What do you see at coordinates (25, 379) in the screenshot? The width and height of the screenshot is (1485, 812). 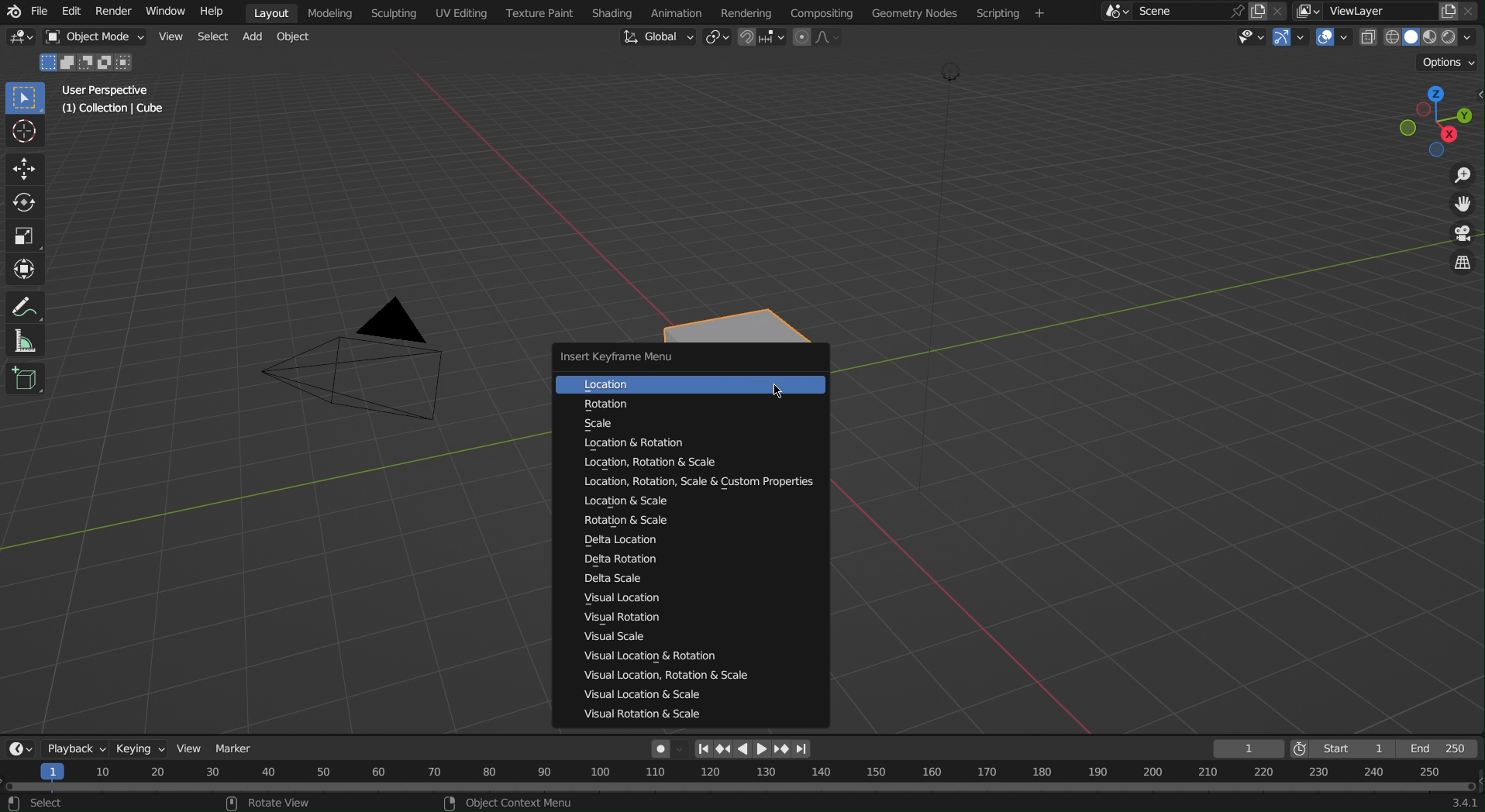 I see `Add Cube` at bounding box center [25, 379].